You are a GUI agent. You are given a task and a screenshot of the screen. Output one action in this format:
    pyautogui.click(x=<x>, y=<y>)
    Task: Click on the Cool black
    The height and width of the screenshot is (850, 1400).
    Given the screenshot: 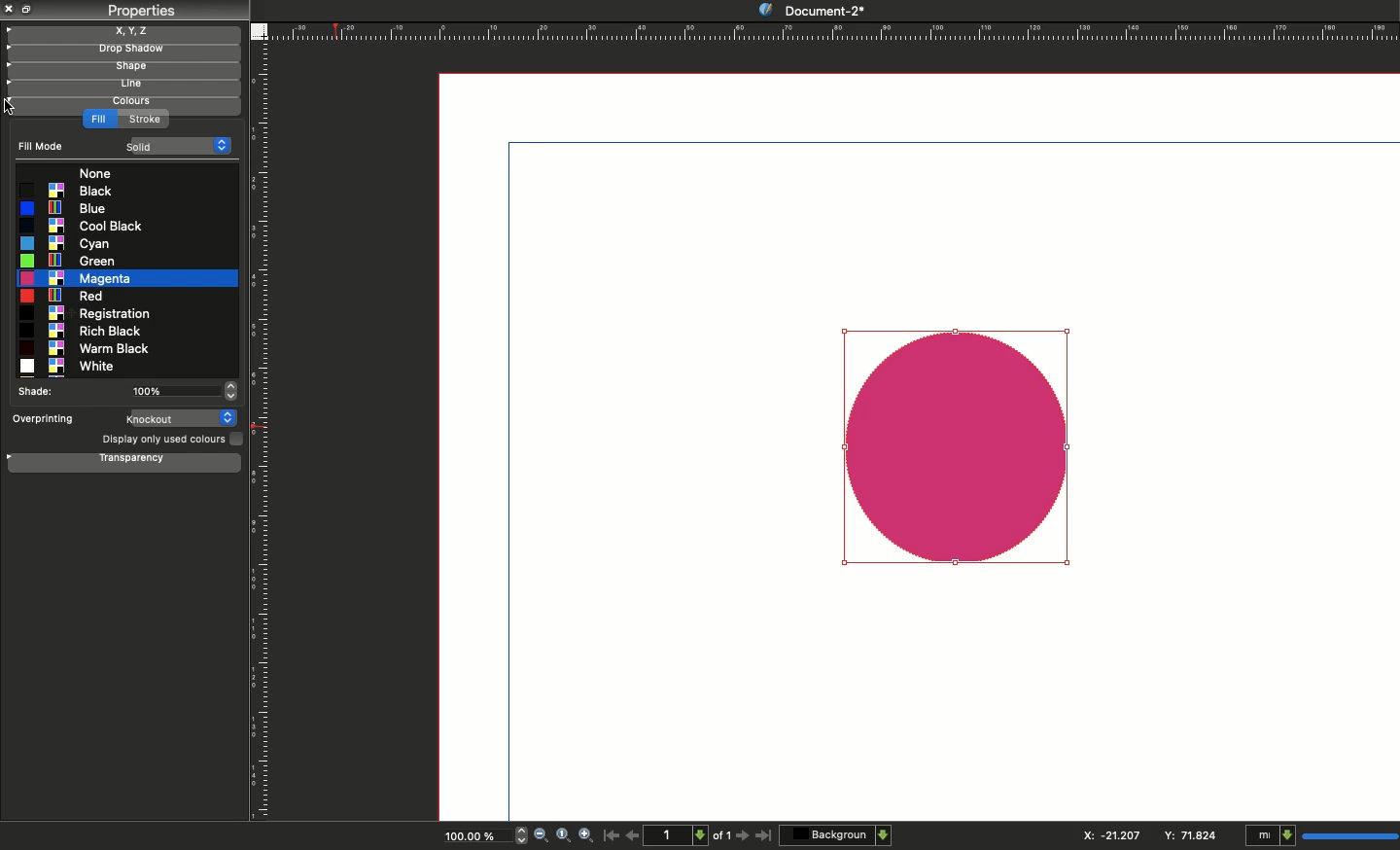 What is the action you would take?
    pyautogui.click(x=84, y=227)
    